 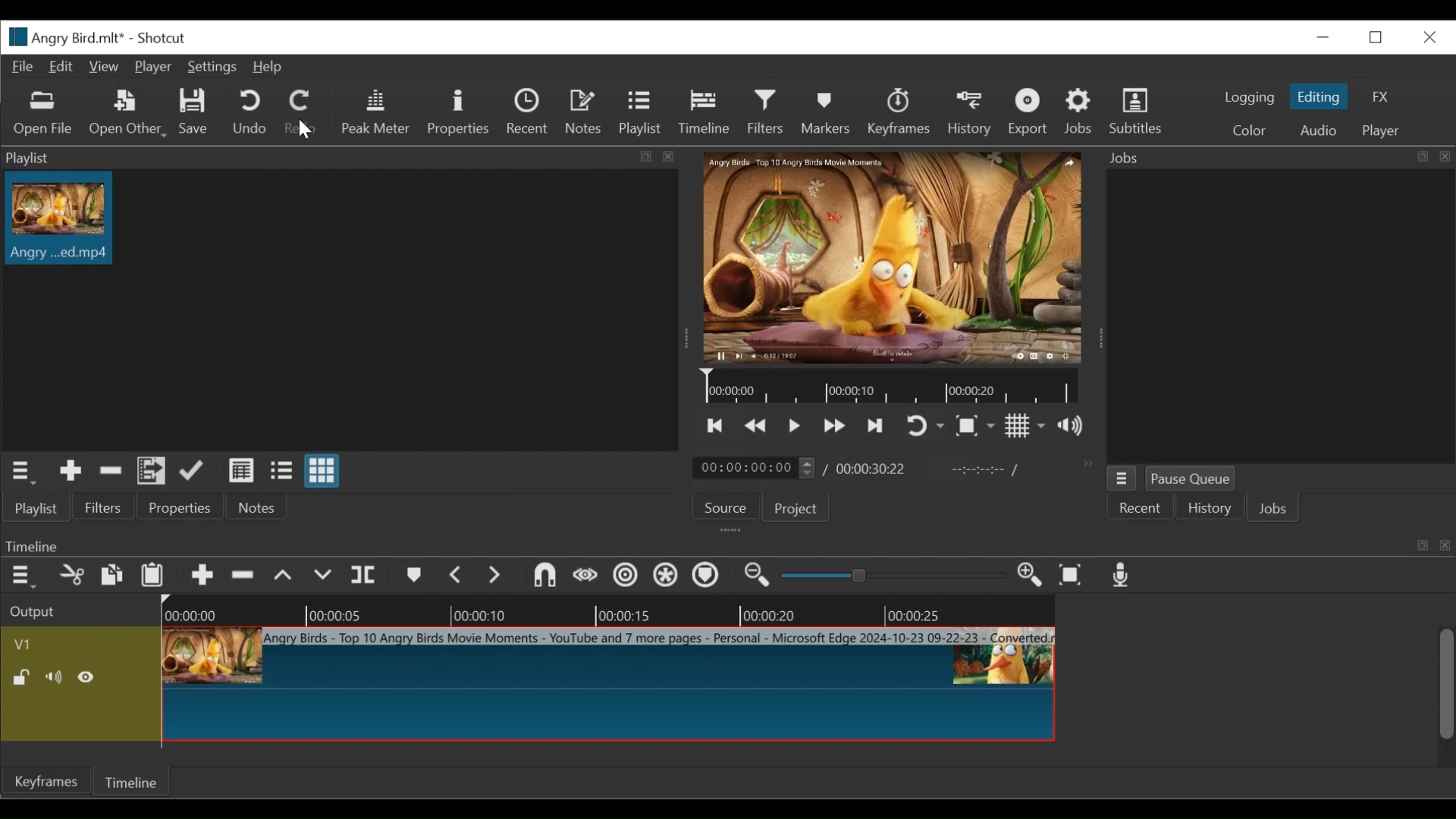 What do you see at coordinates (1318, 96) in the screenshot?
I see `Editing` at bounding box center [1318, 96].